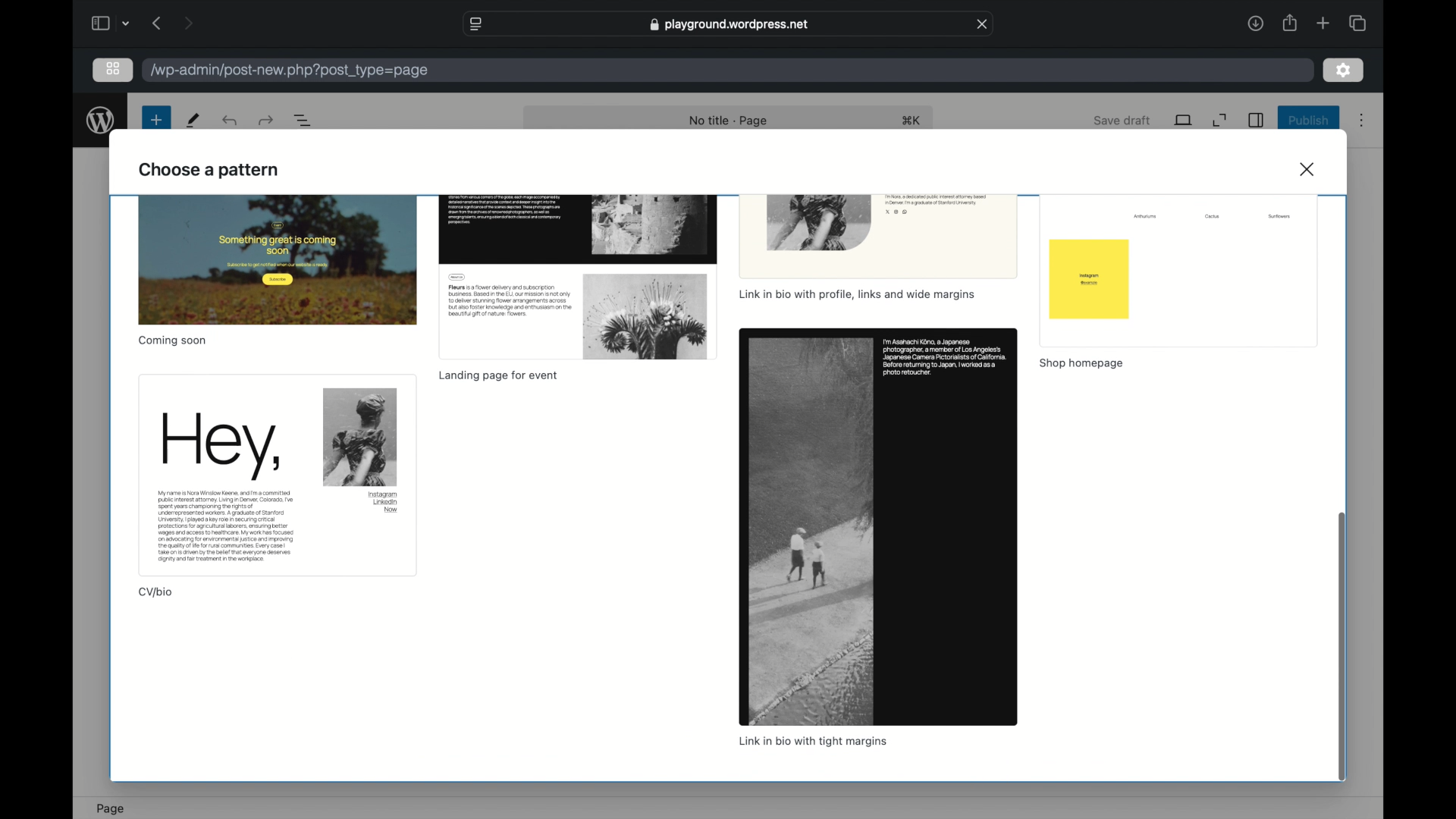  What do you see at coordinates (210, 171) in the screenshot?
I see `choose a pattern` at bounding box center [210, 171].